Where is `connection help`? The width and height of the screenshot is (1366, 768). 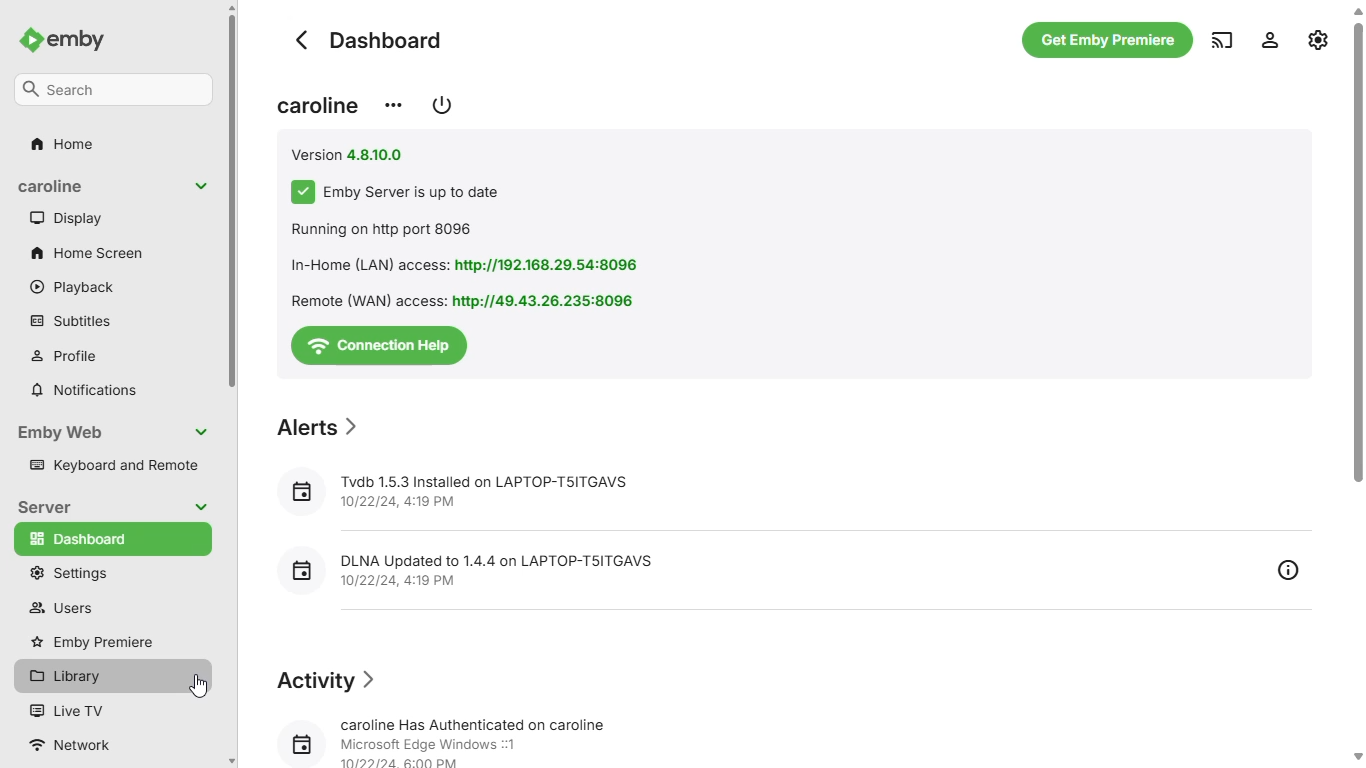 connection help is located at coordinates (377, 346).